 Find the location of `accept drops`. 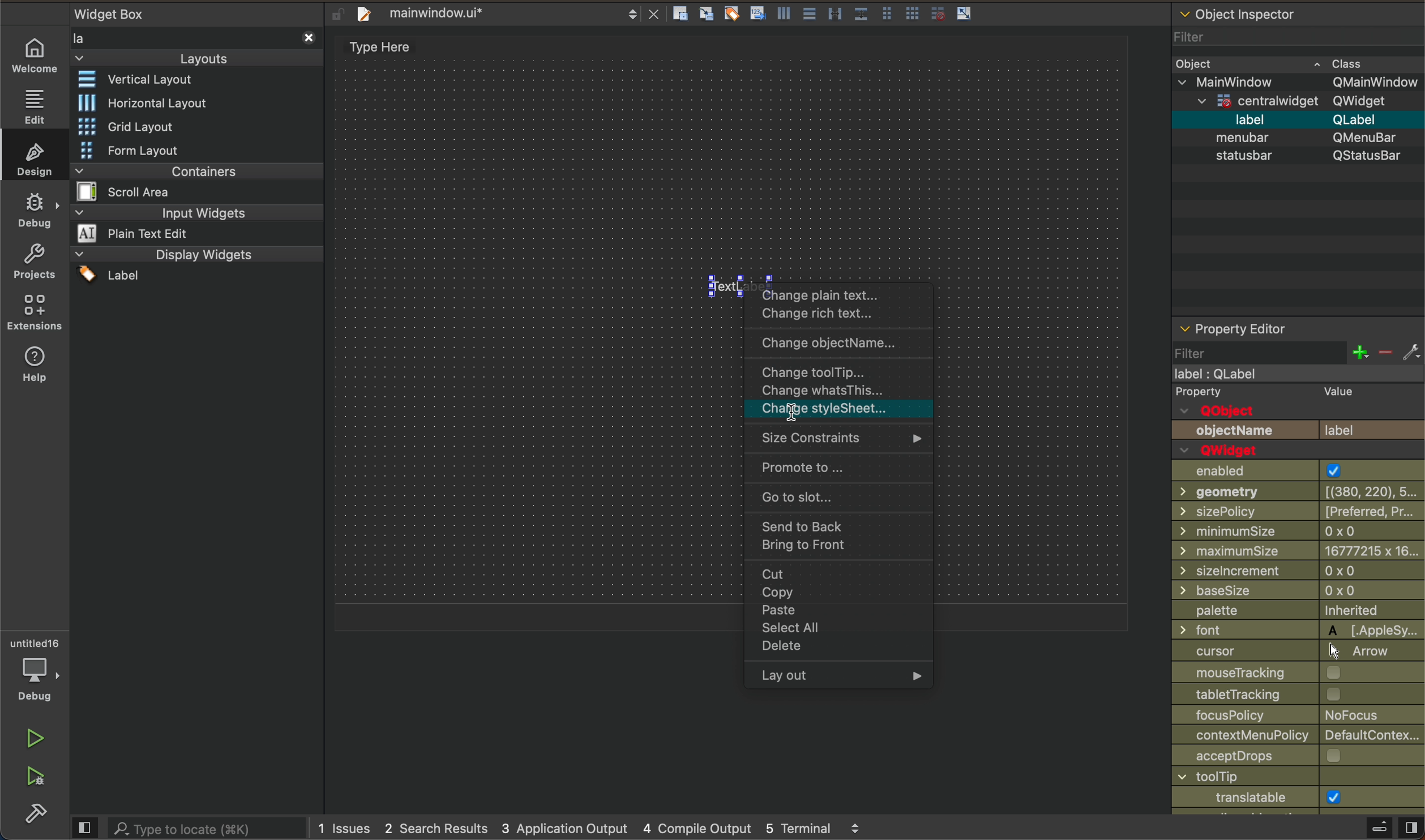

accept drops is located at coordinates (1274, 757).